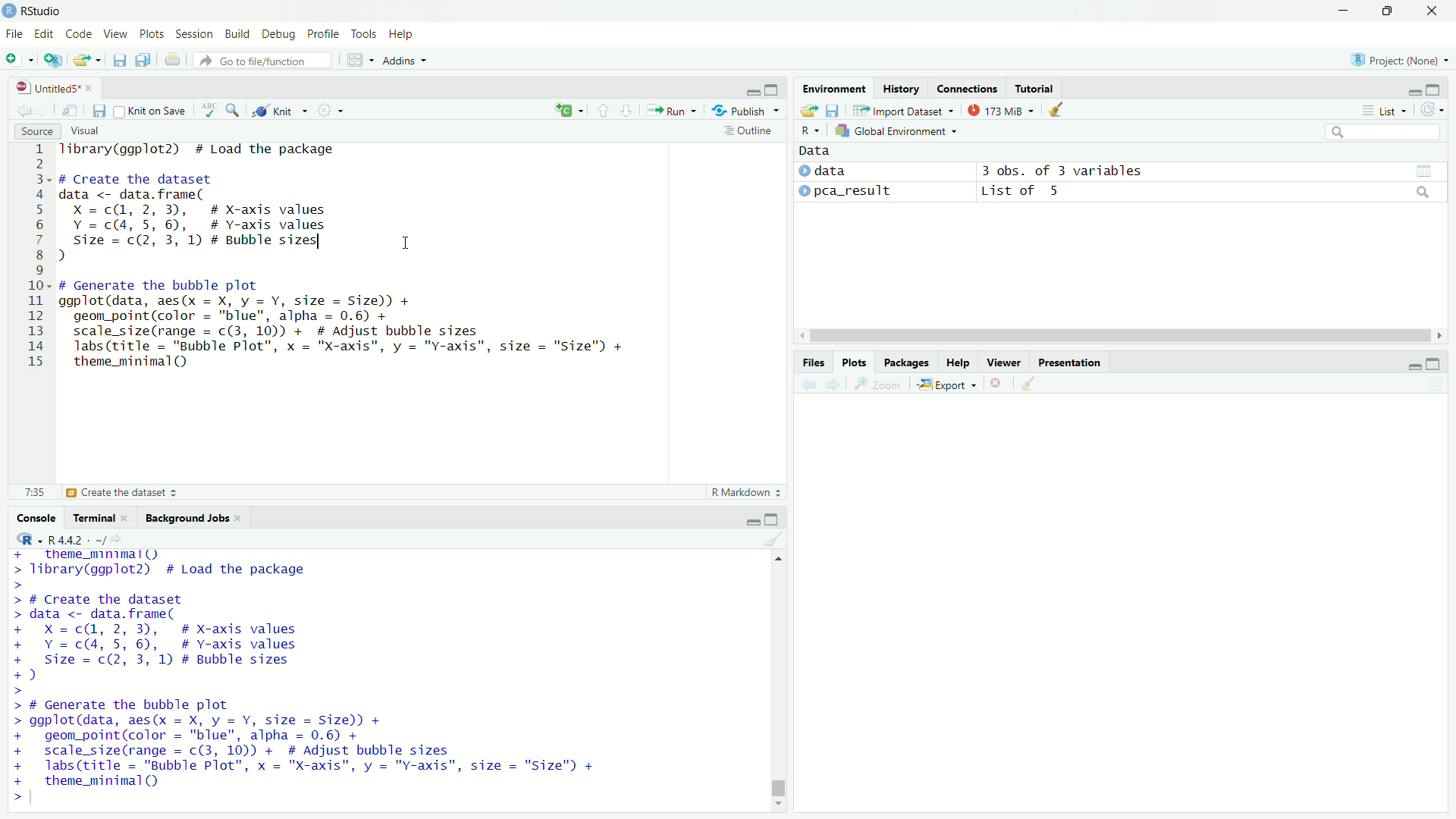 The image size is (1456, 819). Describe the element at coordinates (152, 36) in the screenshot. I see `plots` at that location.